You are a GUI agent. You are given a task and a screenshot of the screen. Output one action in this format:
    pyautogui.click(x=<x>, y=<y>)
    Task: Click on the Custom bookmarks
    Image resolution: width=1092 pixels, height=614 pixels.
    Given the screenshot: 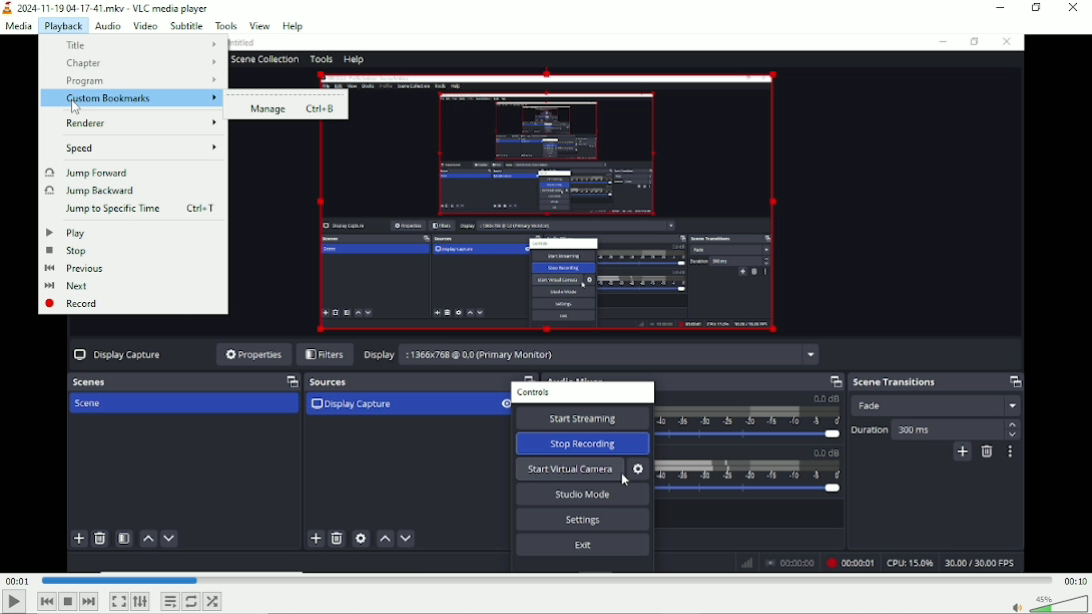 What is the action you would take?
    pyautogui.click(x=130, y=99)
    